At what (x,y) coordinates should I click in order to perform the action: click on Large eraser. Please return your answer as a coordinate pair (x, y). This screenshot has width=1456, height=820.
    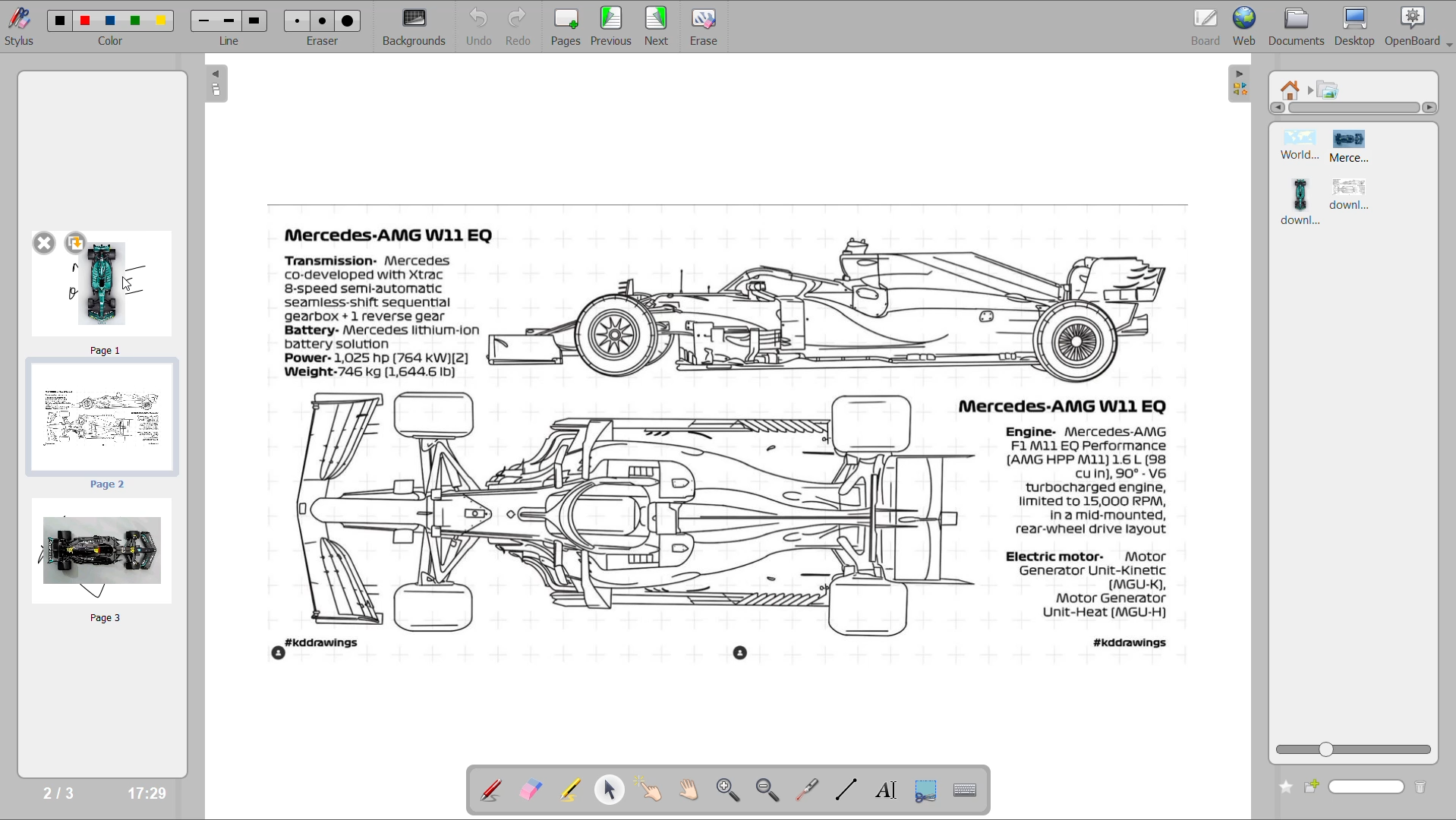
    Looking at the image, I should click on (349, 20).